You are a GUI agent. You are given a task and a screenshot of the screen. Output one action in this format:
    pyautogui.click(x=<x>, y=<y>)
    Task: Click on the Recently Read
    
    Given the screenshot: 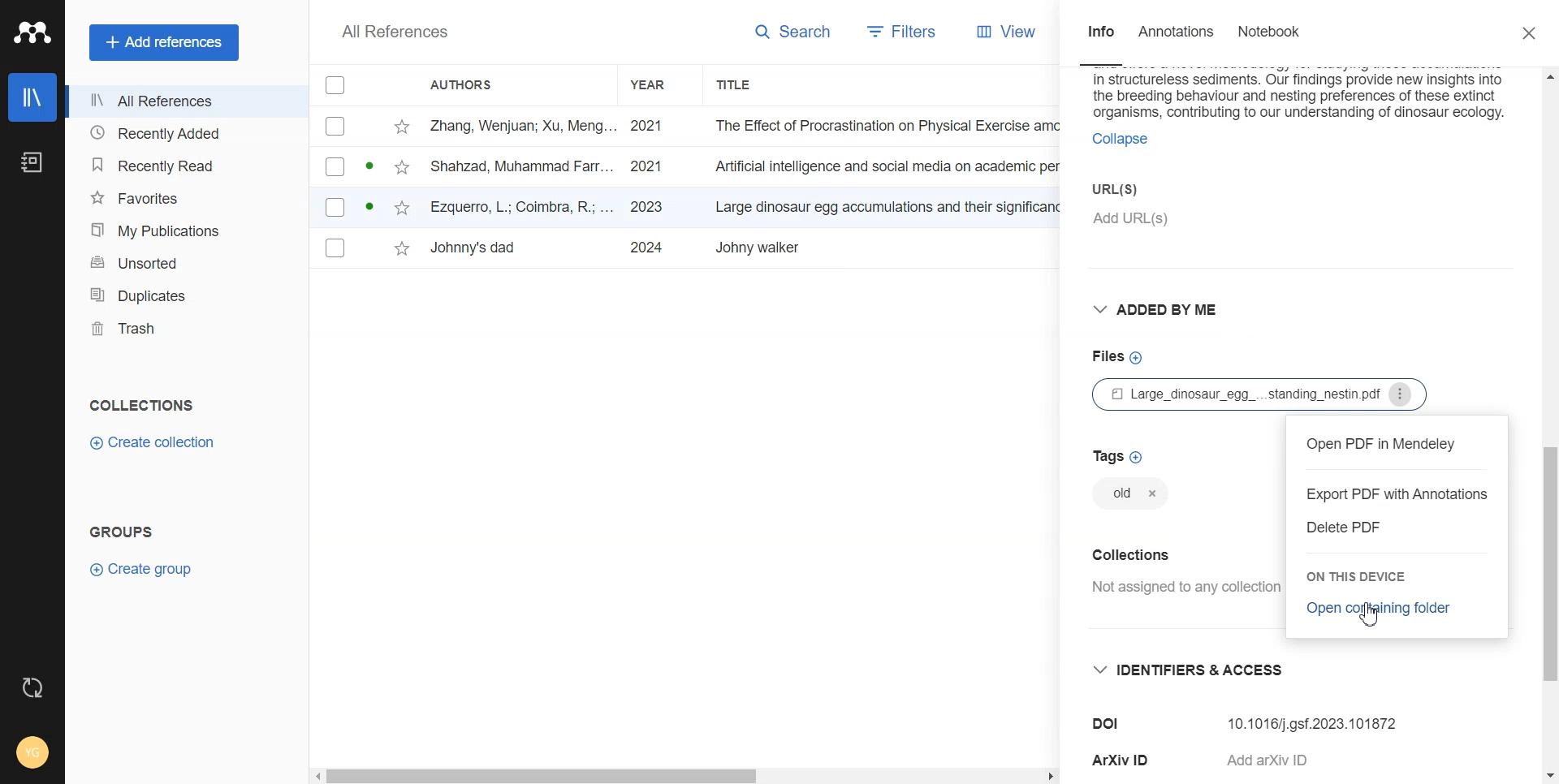 What is the action you would take?
    pyautogui.click(x=179, y=162)
    